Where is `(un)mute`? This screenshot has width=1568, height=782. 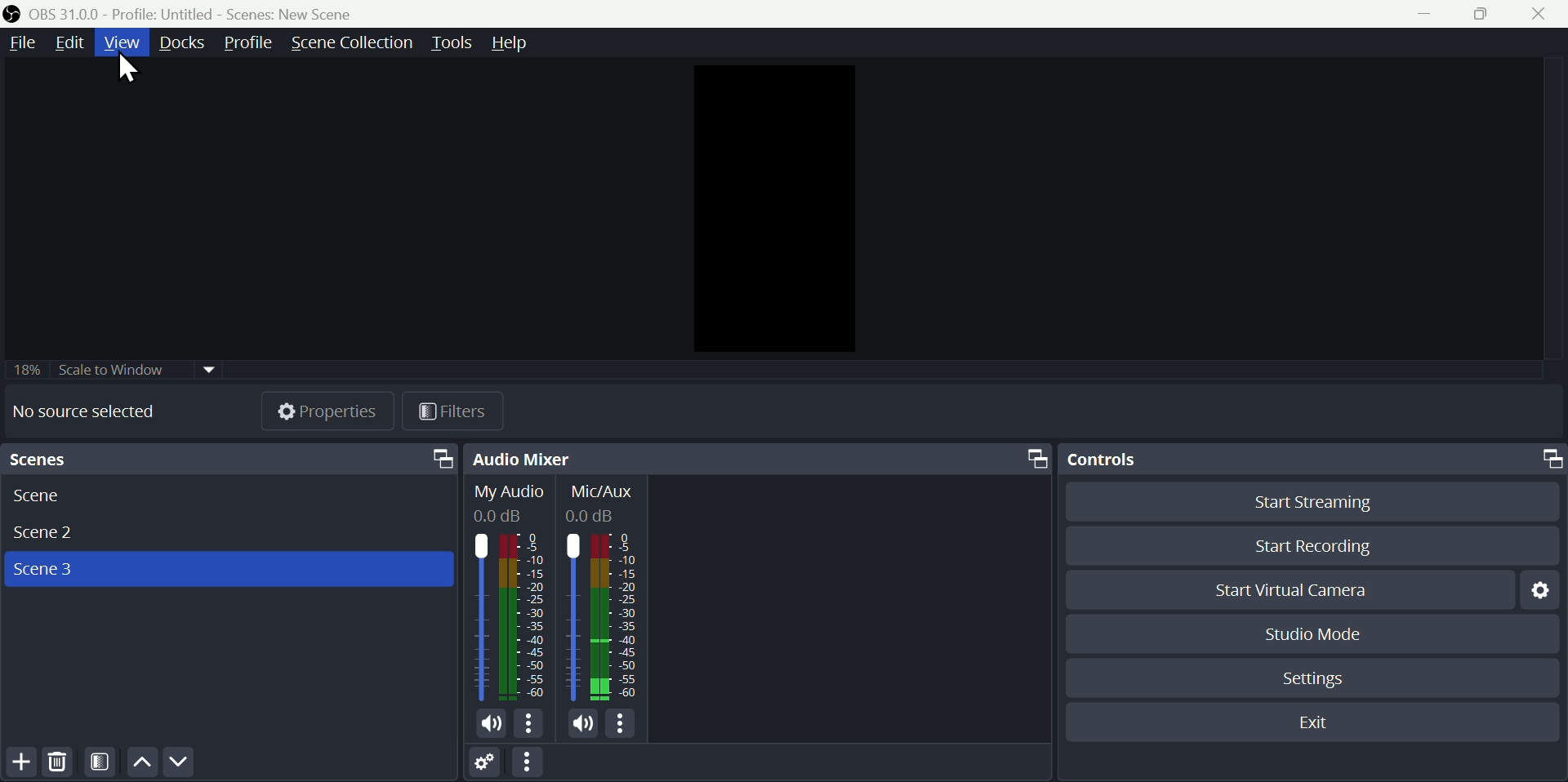 (un)mute is located at coordinates (490, 725).